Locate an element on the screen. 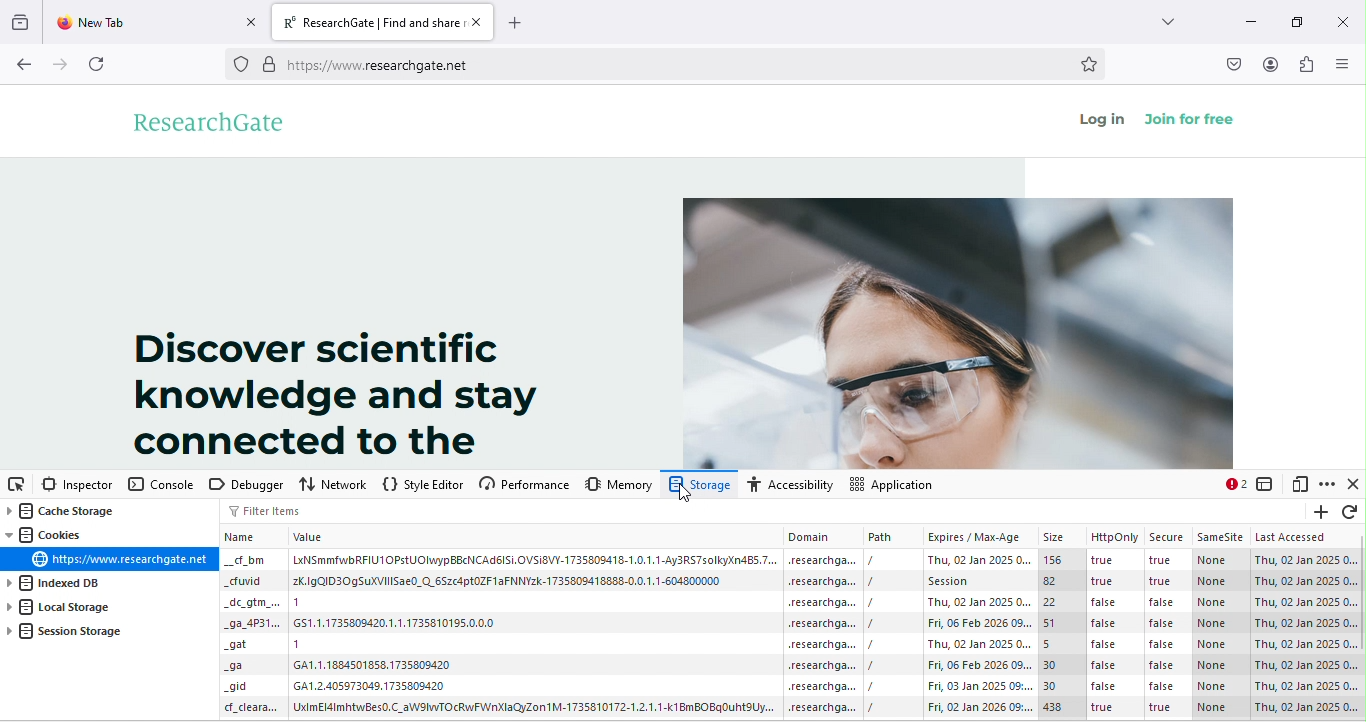 The image size is (1366, 722).  is located at coordinates (251, 709).